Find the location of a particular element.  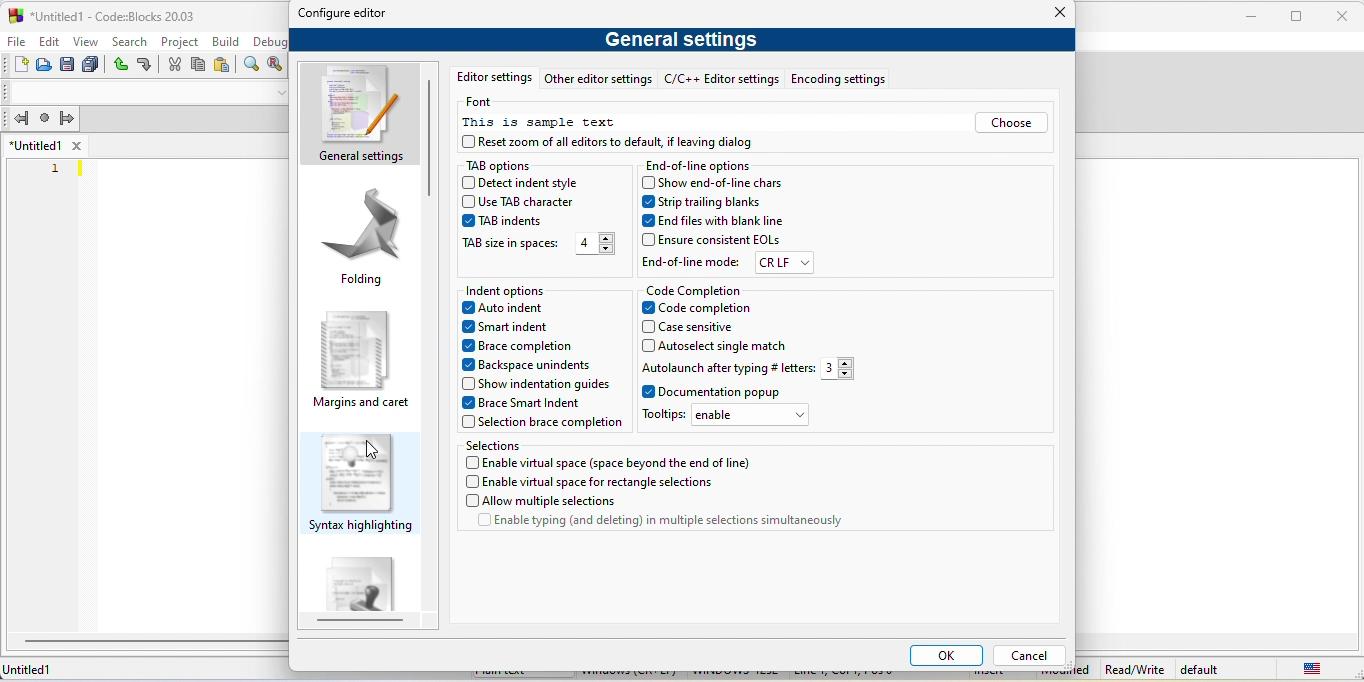

close is located at coordinates (75, 145).